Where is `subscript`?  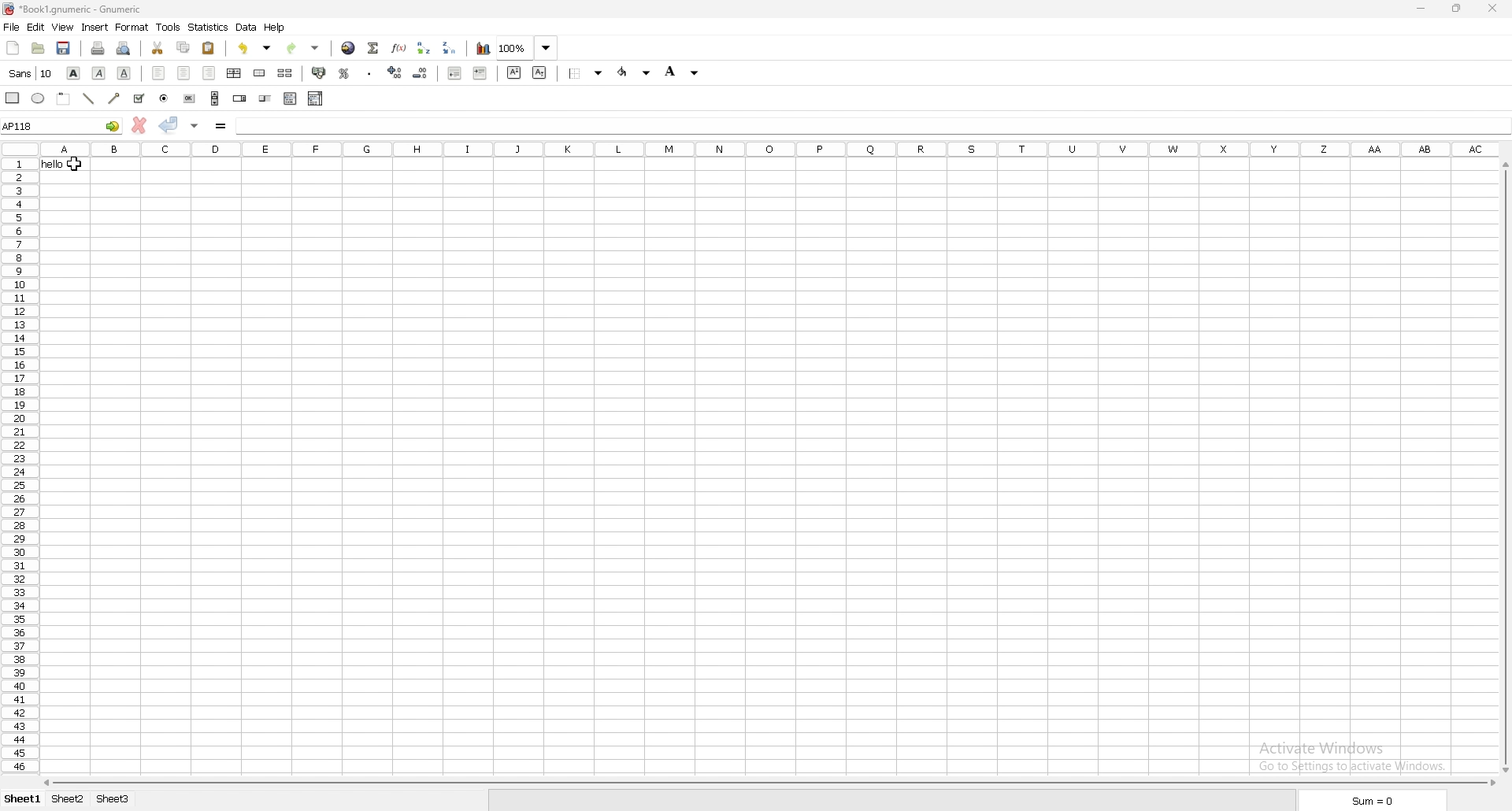 subscript is located at coordinates (539, 72).